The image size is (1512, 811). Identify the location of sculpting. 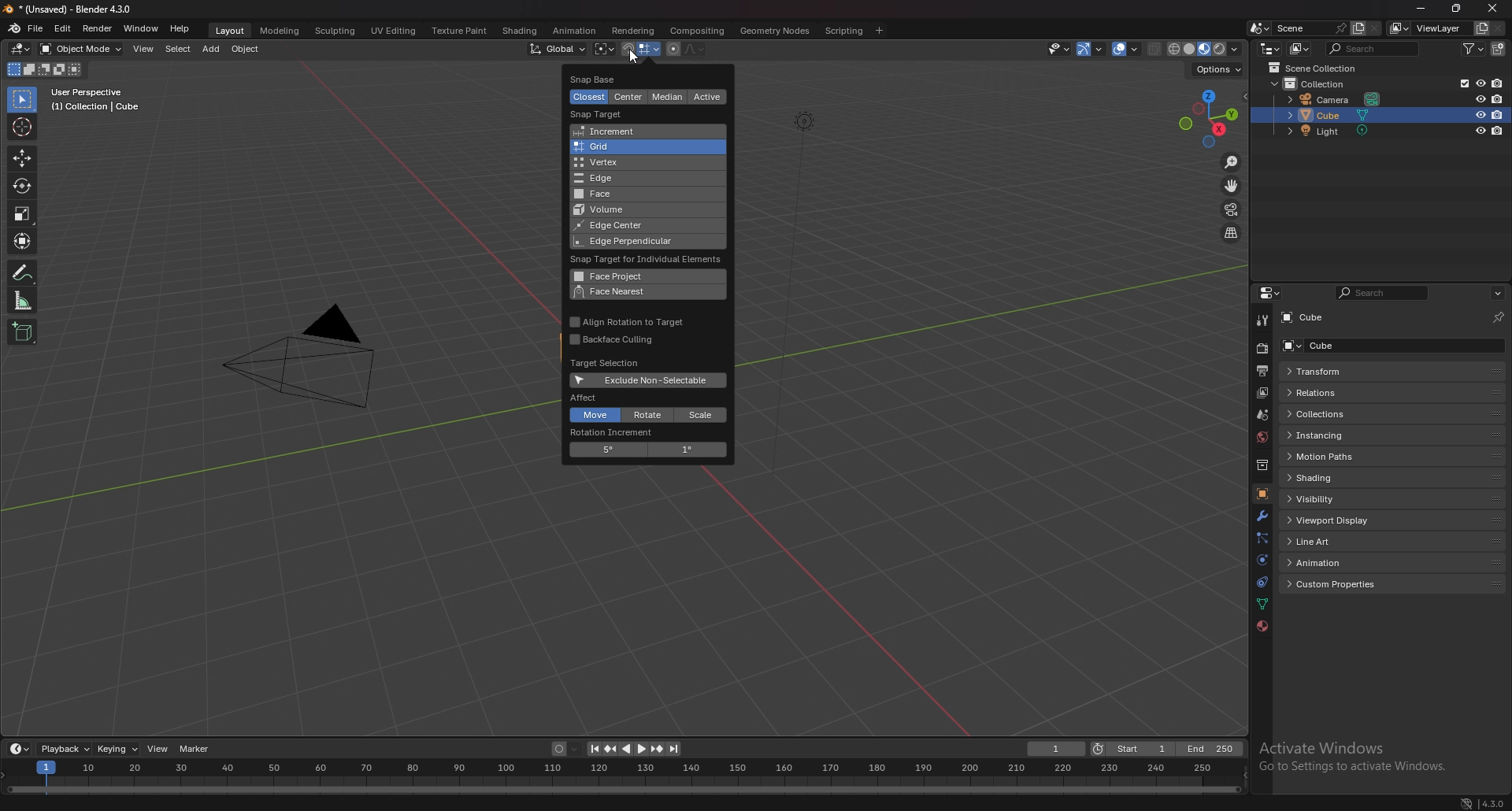
(335, 30).